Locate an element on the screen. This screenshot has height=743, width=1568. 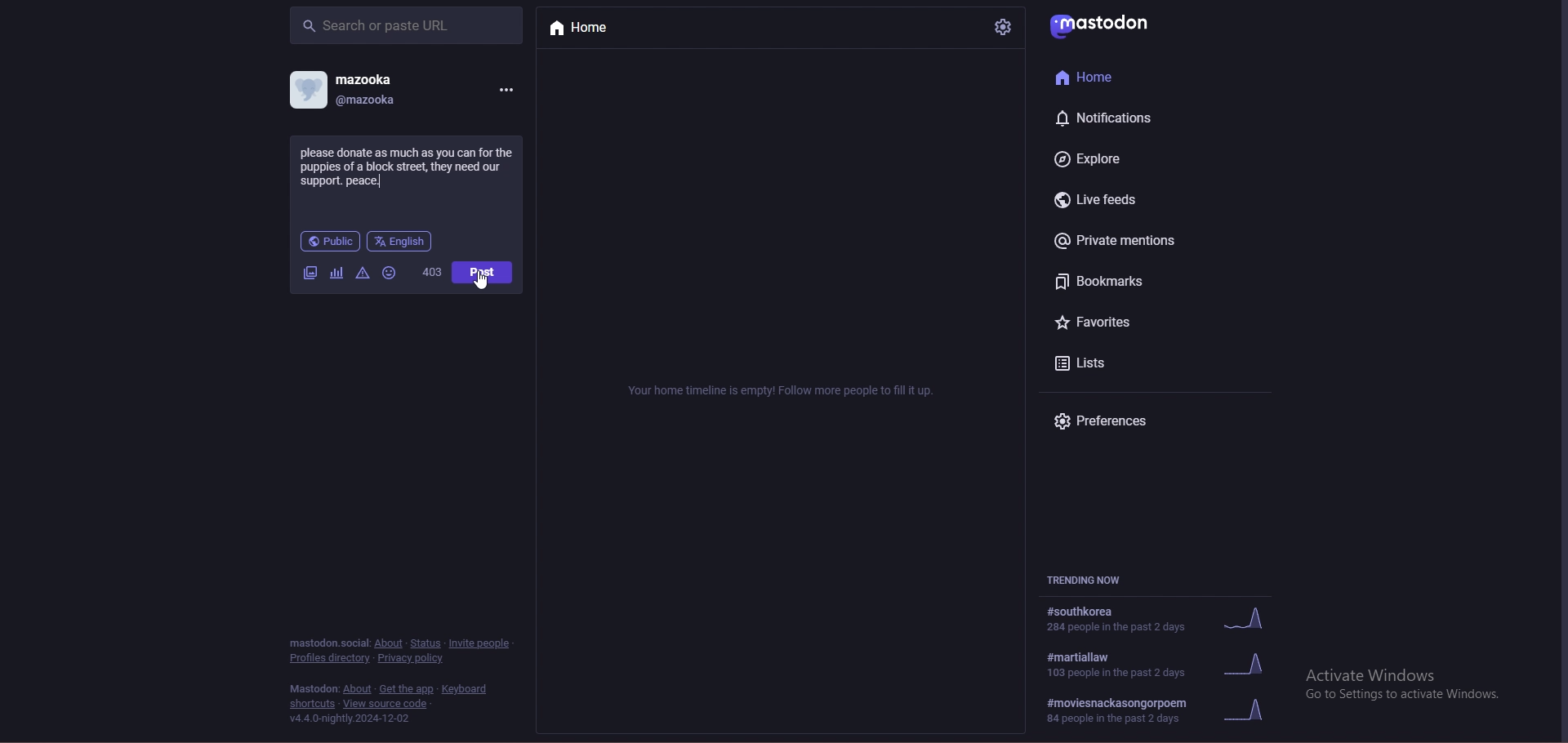
mastodon is located at coordinates (1107, 25).